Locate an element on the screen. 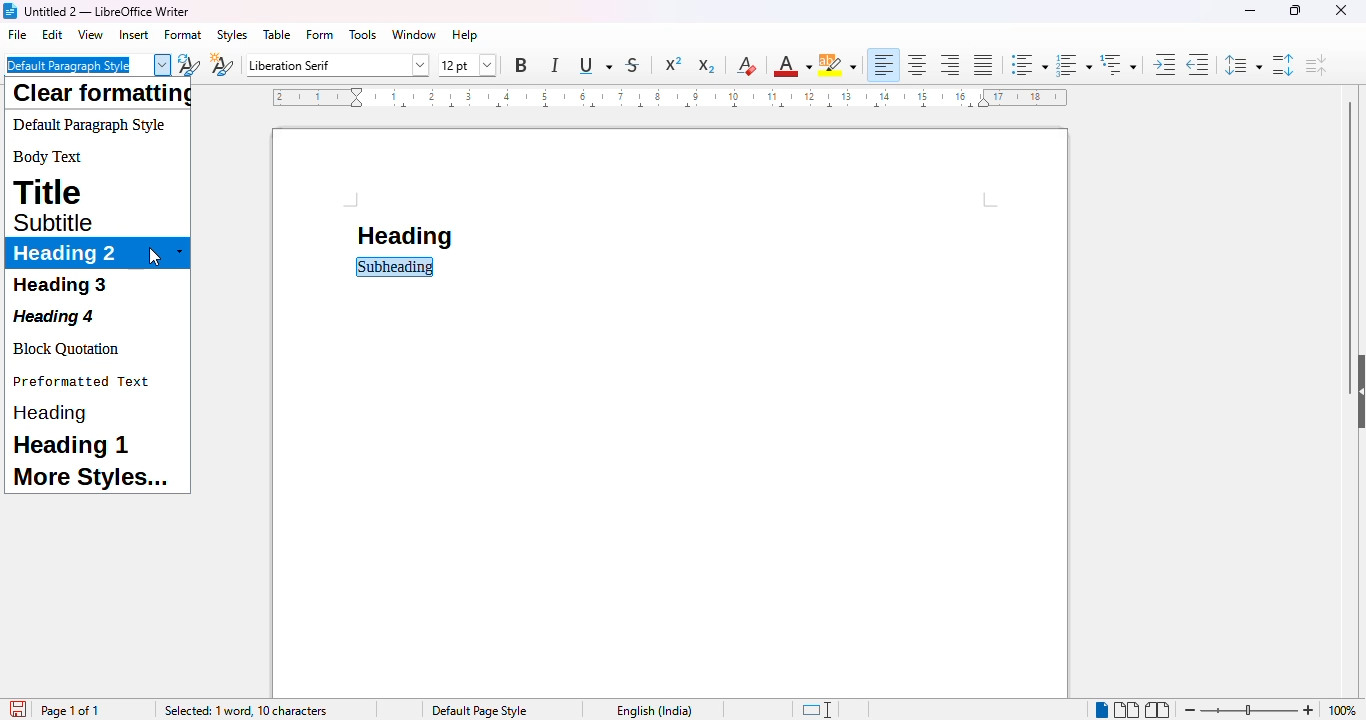 Image resolution: width=1366 pixels, height=720 pixels. clear formatting is located at coordinates (102, 95).